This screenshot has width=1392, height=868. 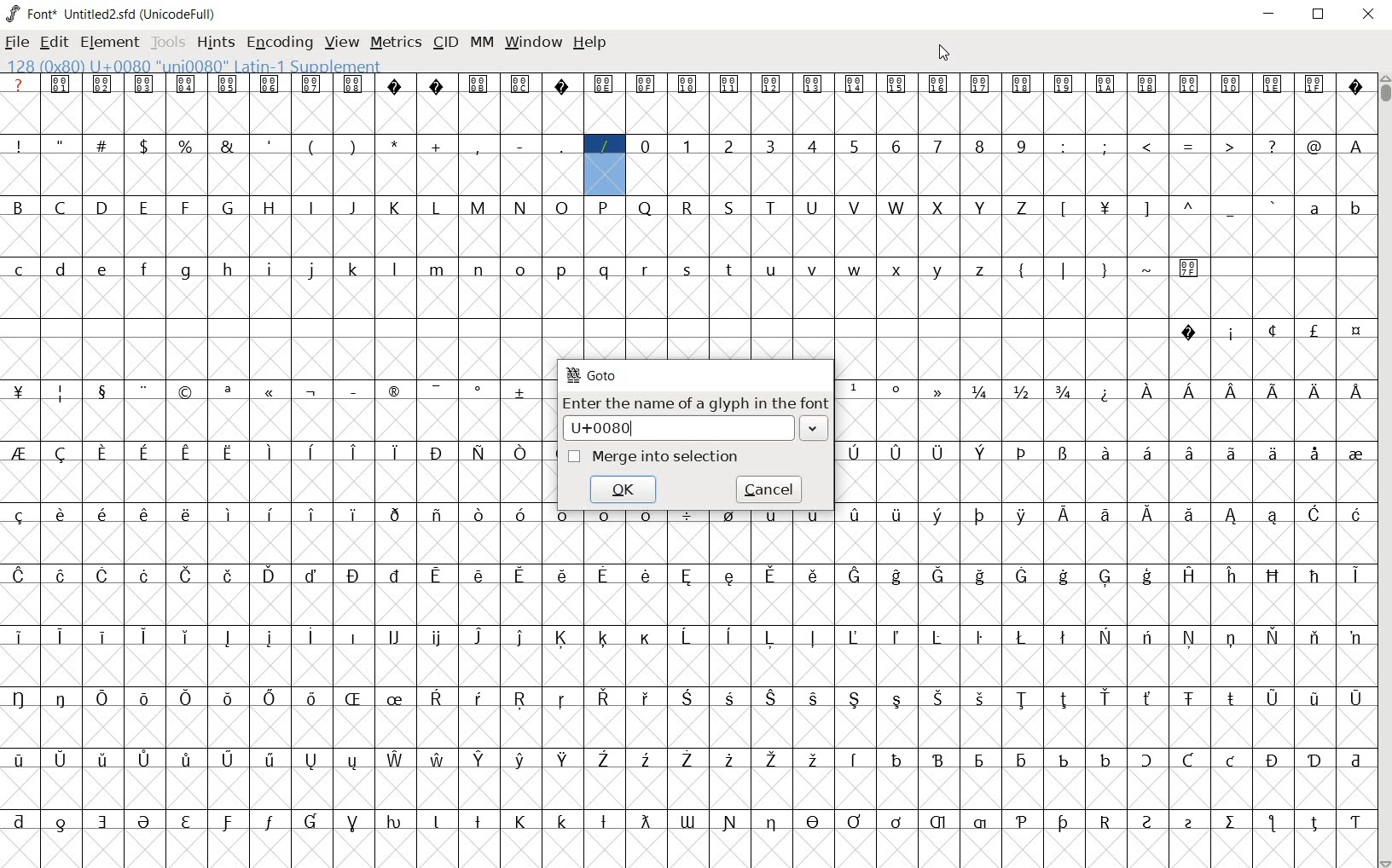 I want to click on glyph, so click(x=185, y=207).